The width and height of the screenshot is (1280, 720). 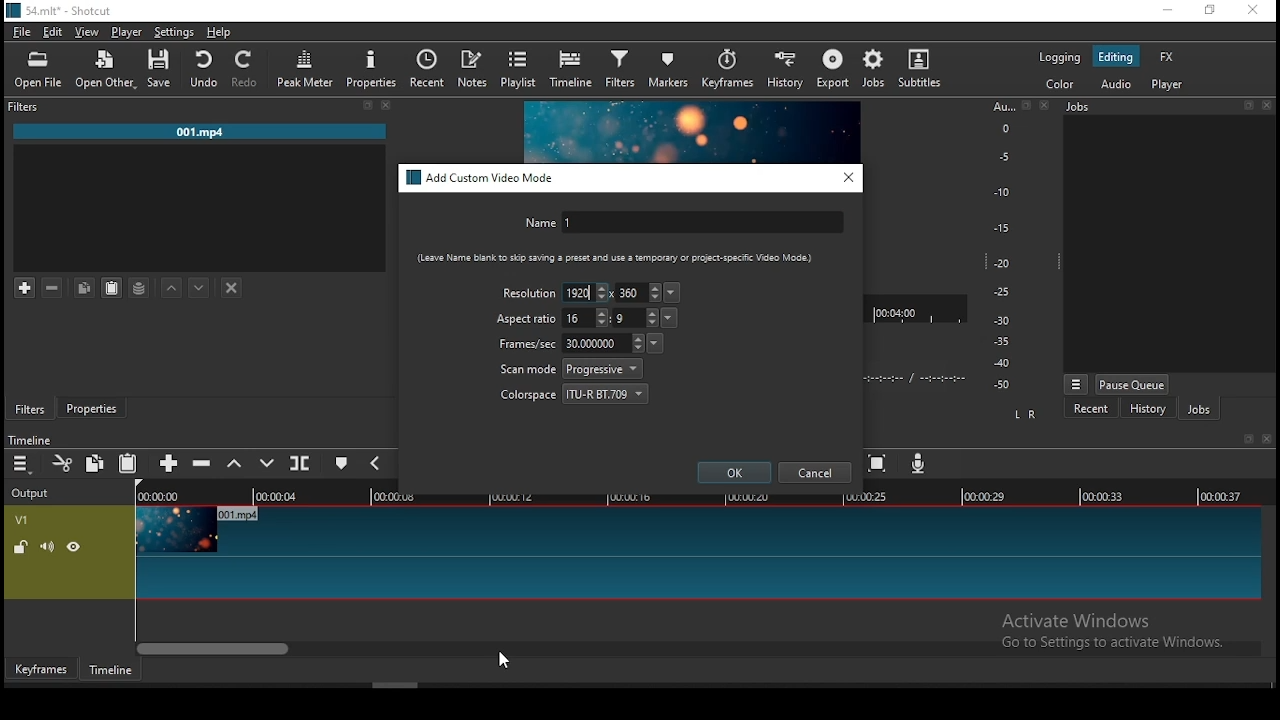 What do you see at coordinates (586, 318) in the screenshot?
I see `width` at bounding box center [586, 318].